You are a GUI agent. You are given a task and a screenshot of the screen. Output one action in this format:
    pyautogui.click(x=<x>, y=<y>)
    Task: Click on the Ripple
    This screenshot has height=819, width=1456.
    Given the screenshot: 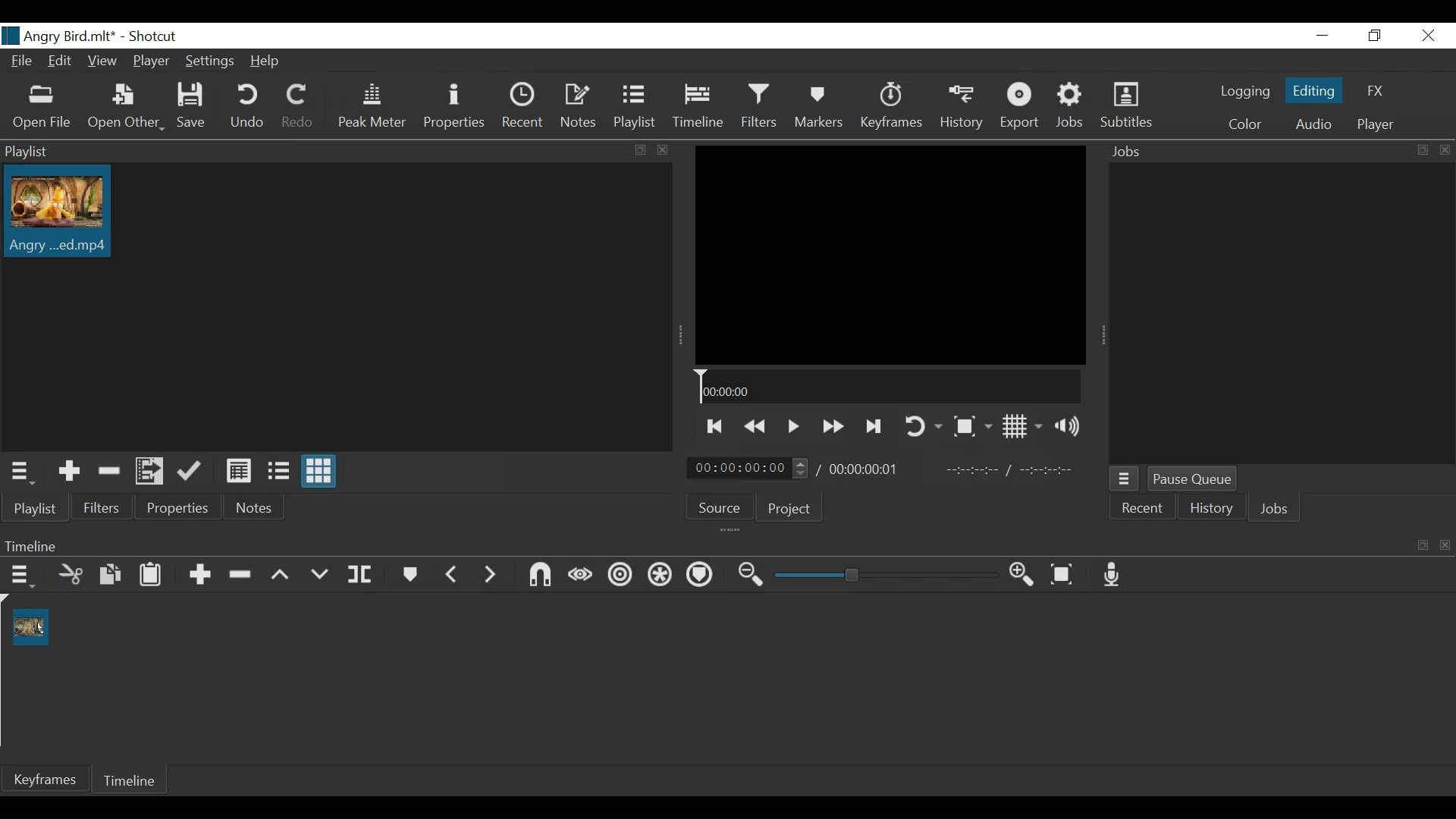 What is the action you would take?
    pyautogui.click(x=620, y=575)
    